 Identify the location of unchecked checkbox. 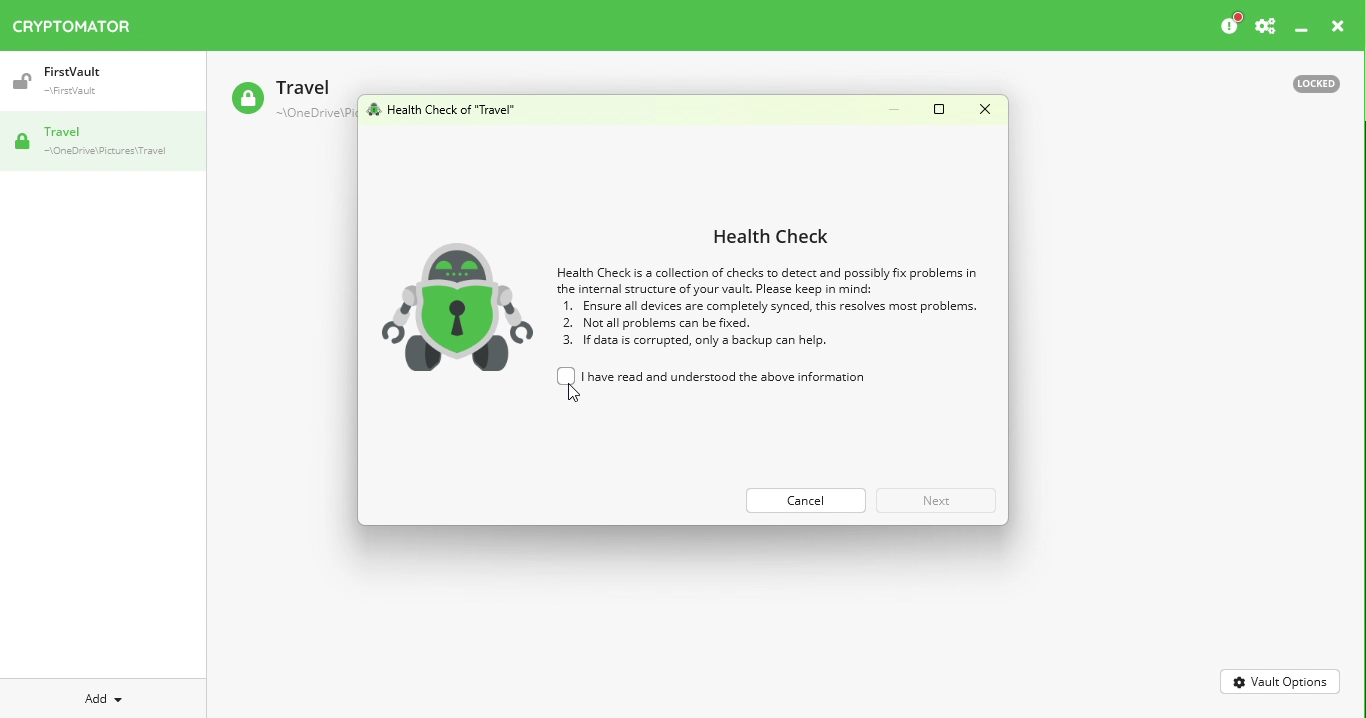
(563, 377).